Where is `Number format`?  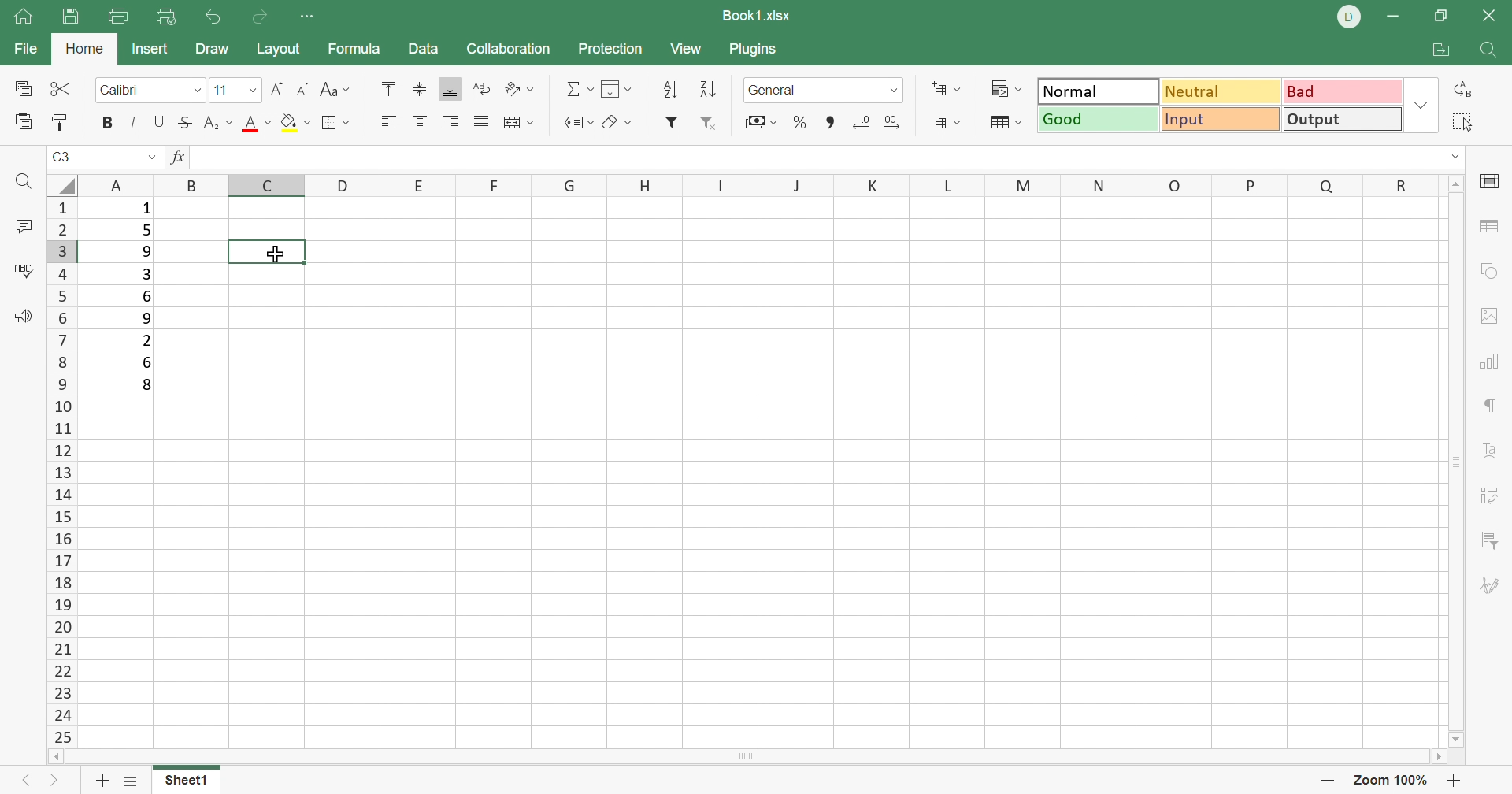
Number format is located at coordinates (802, 90).